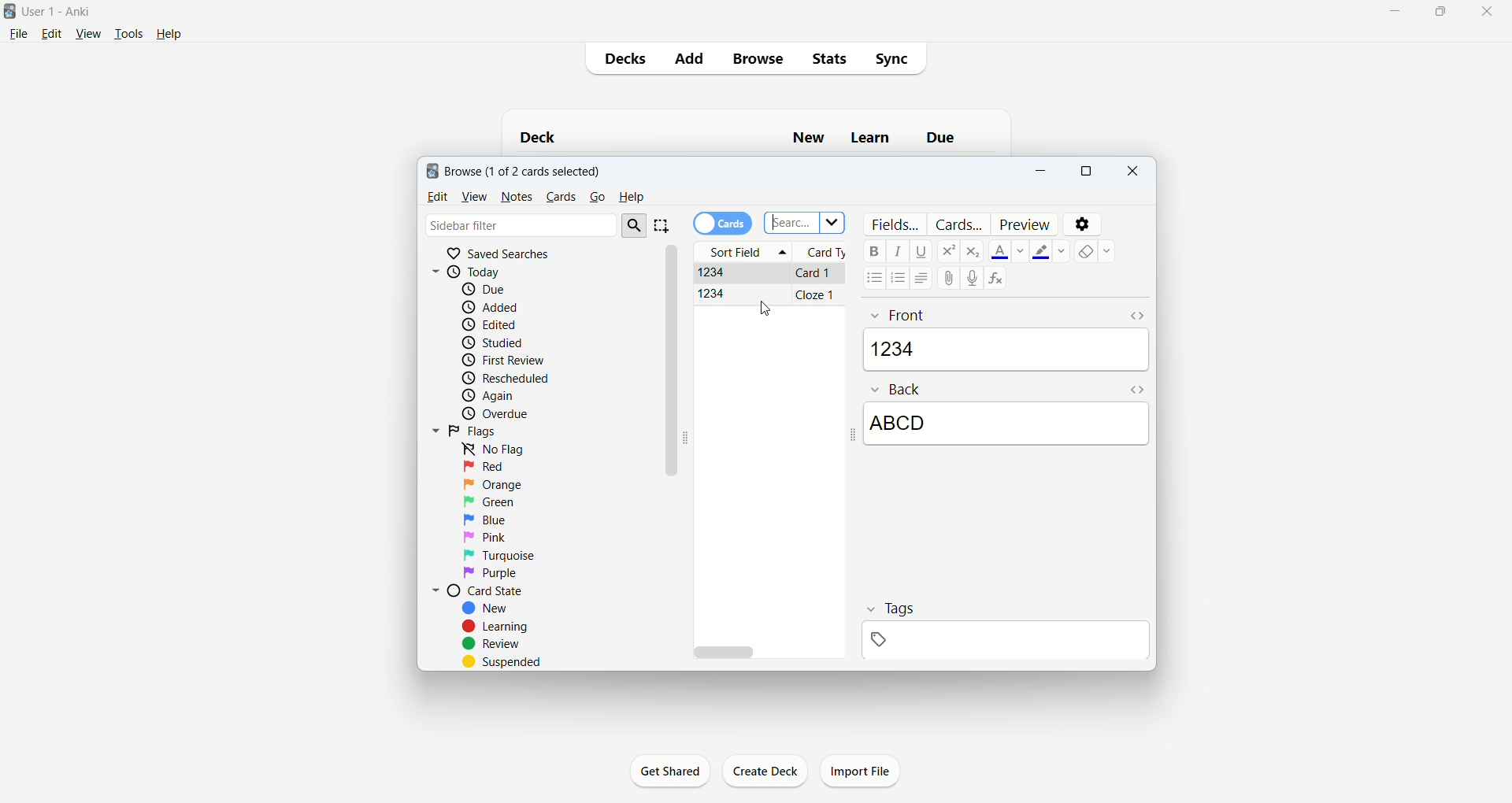 This screenshot has width=1512, height=803. Describe the element at coordinates (504, 361) in the screenshot. I see `first review` at that location.